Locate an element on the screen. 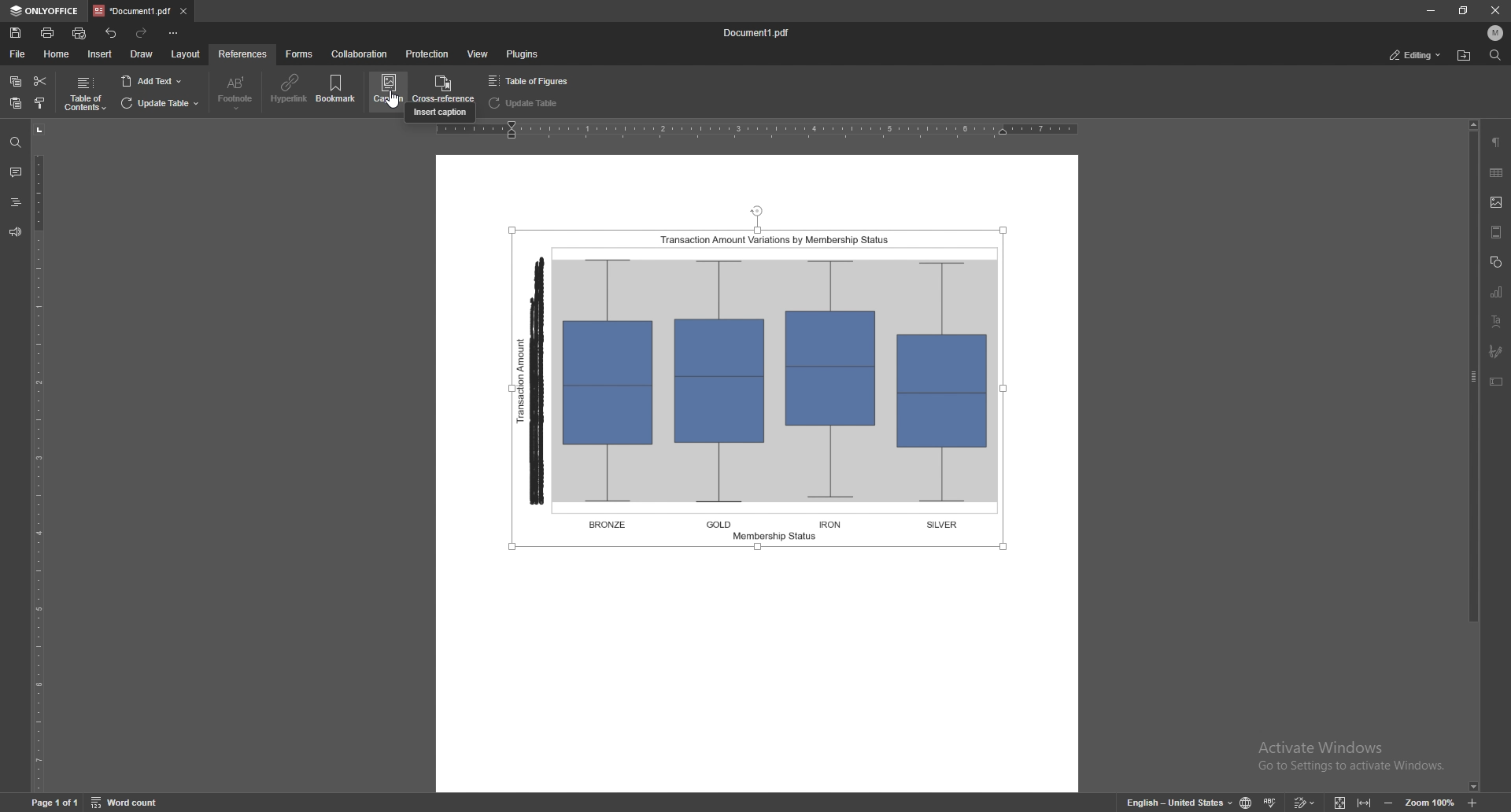 This screenshot has width=1511, height=812. scroll bar is located at coordinates (1471, 456).